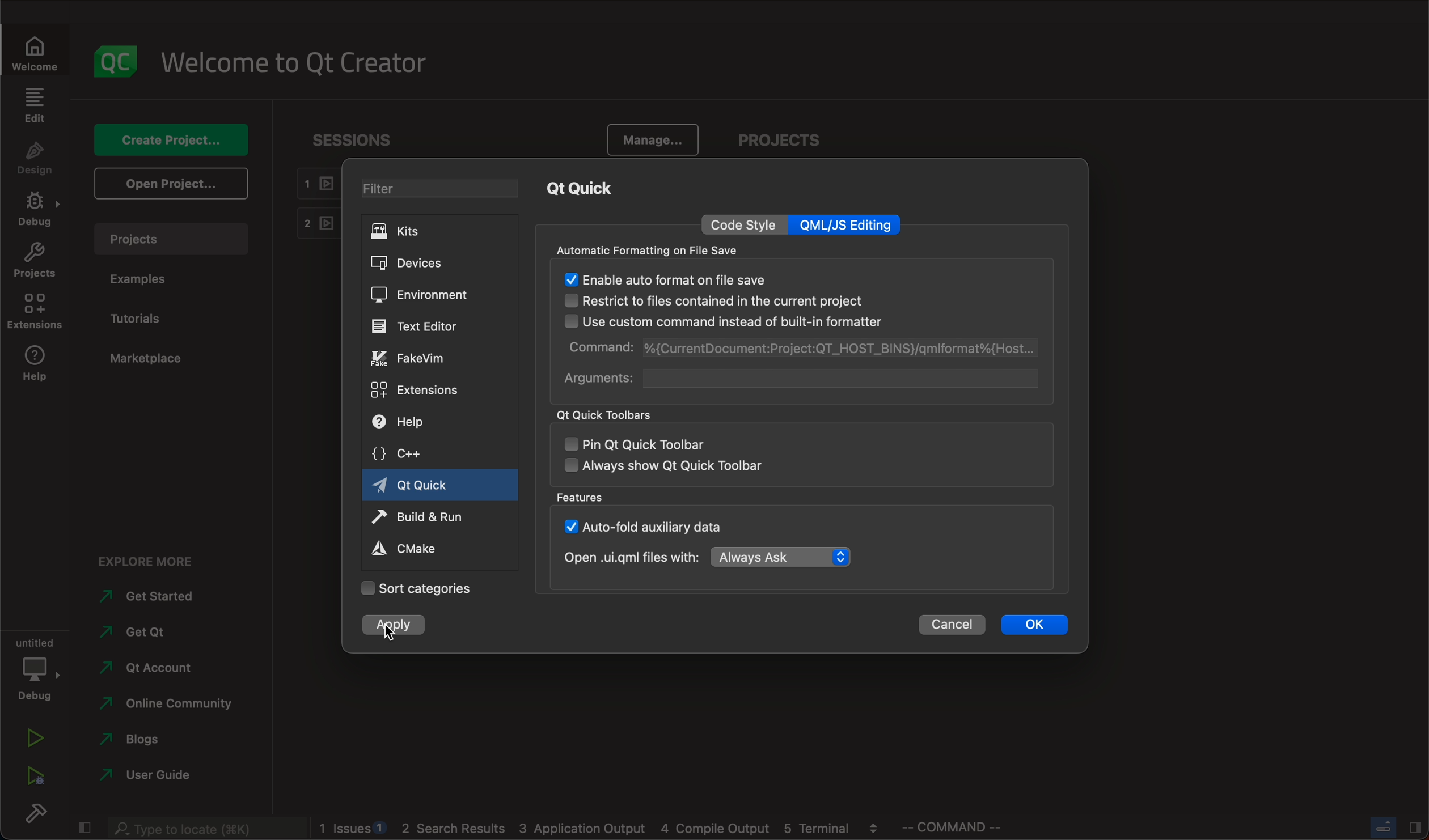  I want to click on qt quick, so click(607, 414).